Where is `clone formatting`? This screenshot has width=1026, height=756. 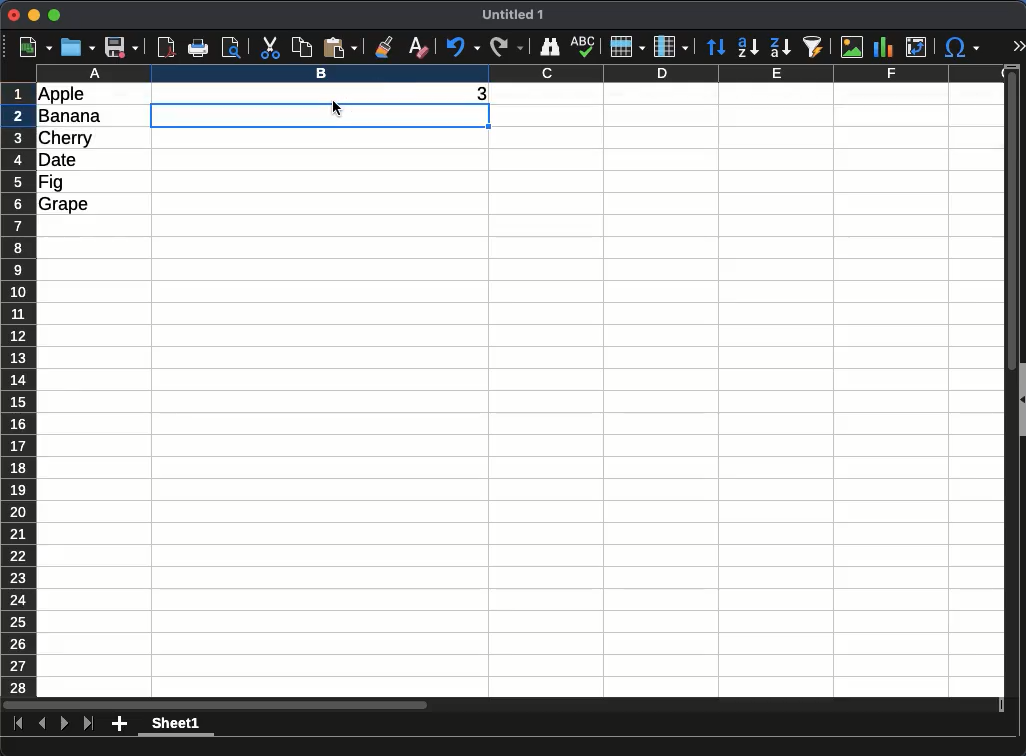
clone formatting is located at coordinates (384, 48).